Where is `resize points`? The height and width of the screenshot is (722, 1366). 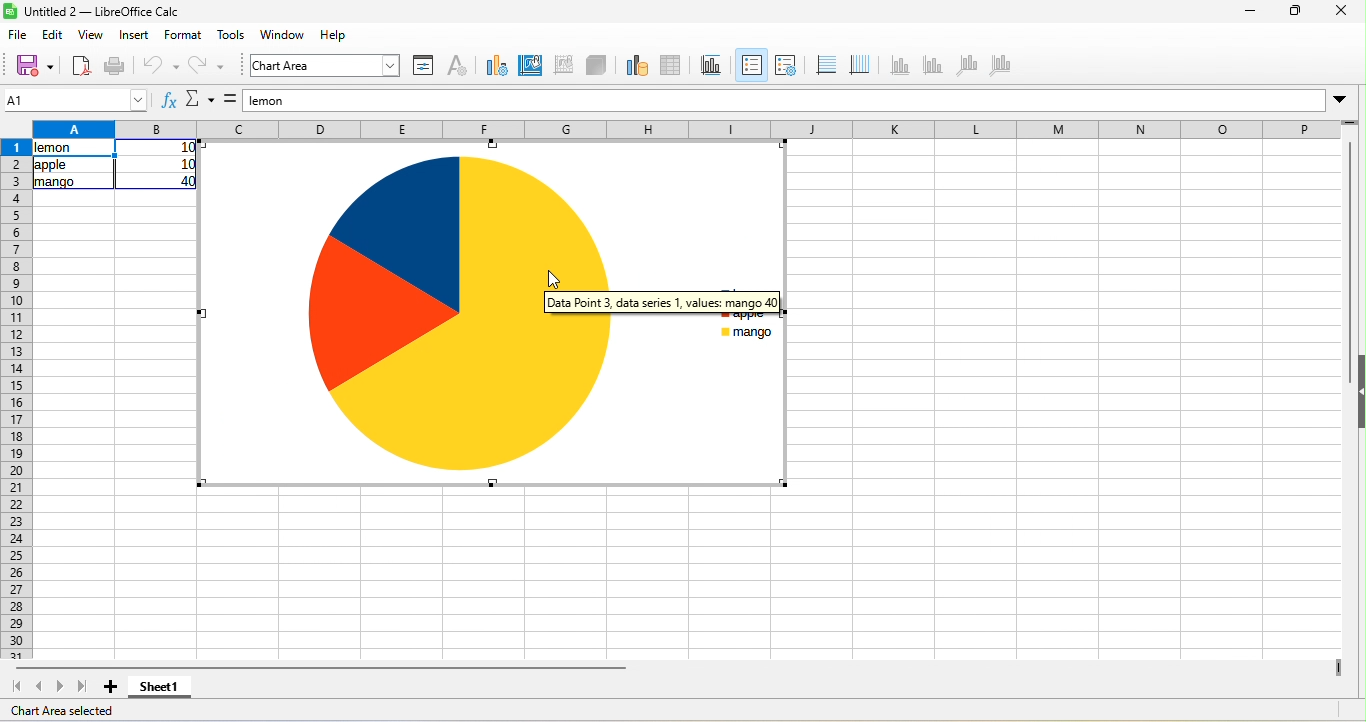
resize points is located at coordinates (782, 146).